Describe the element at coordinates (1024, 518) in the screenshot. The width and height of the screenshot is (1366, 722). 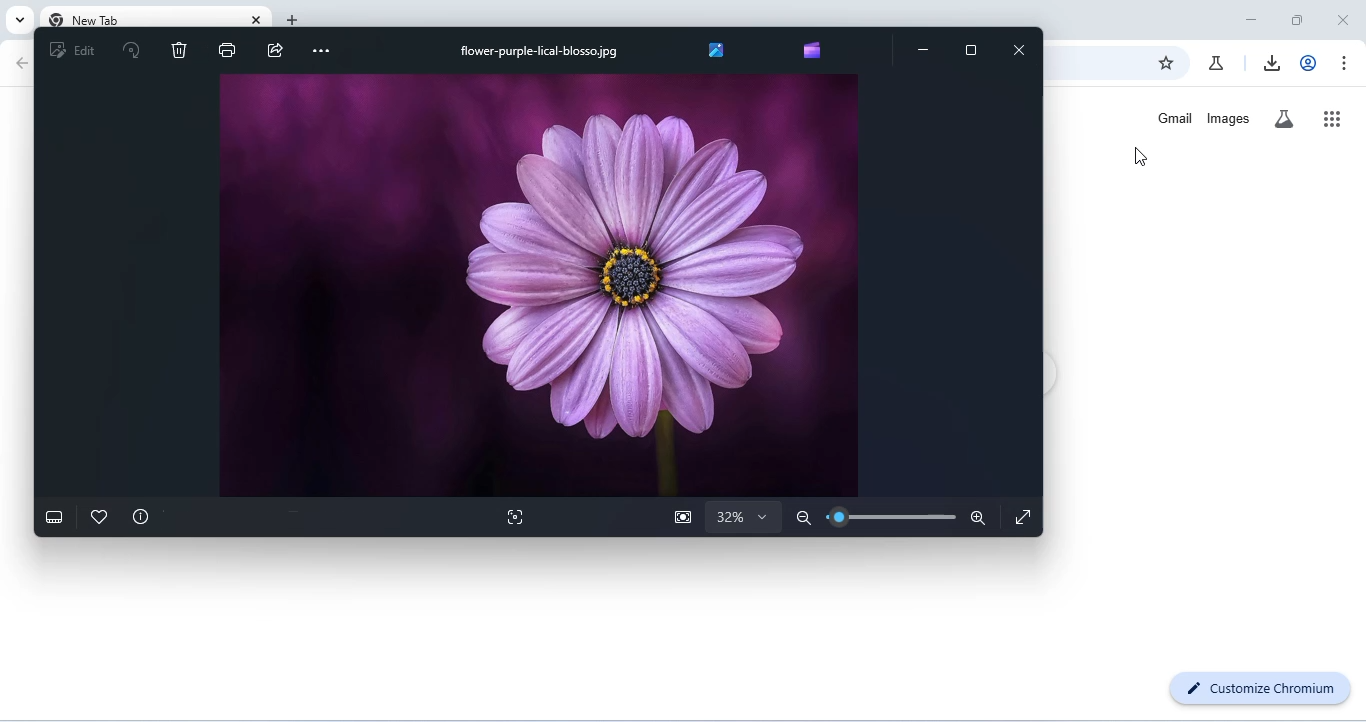
I see `fullscreen` at that location.